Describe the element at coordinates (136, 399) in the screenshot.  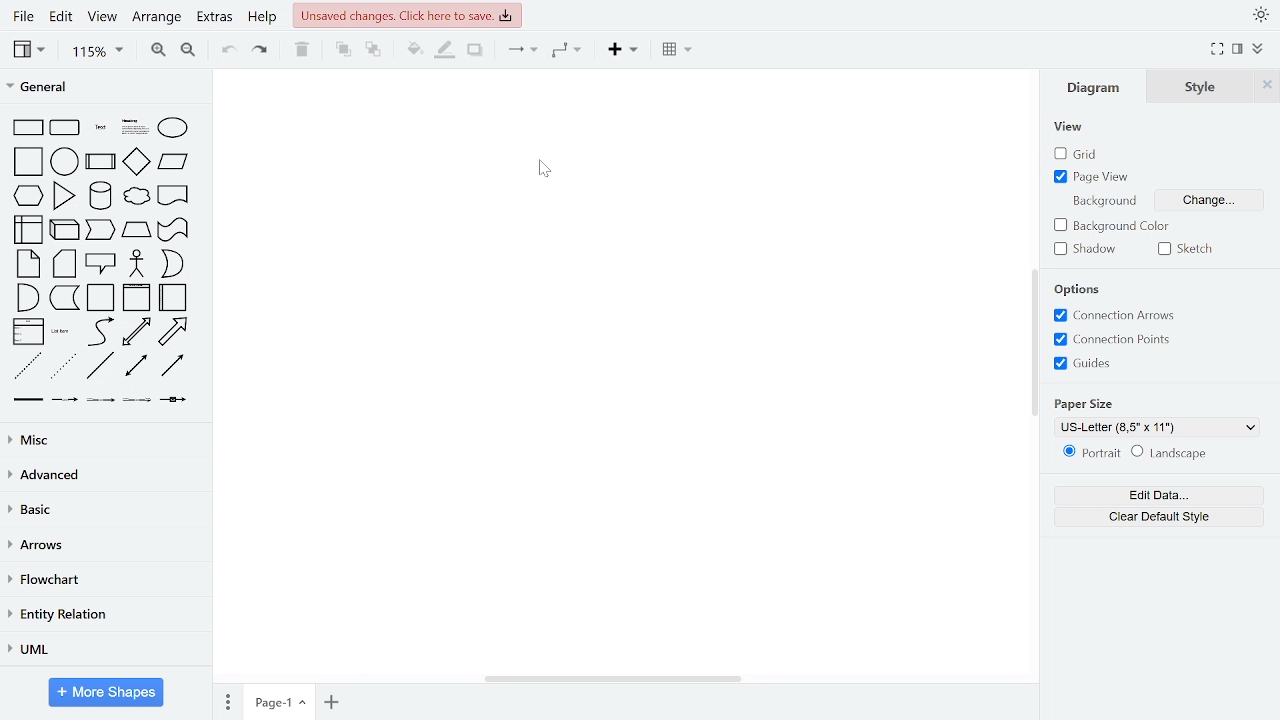
I see `connector with 3 labels` at that location.